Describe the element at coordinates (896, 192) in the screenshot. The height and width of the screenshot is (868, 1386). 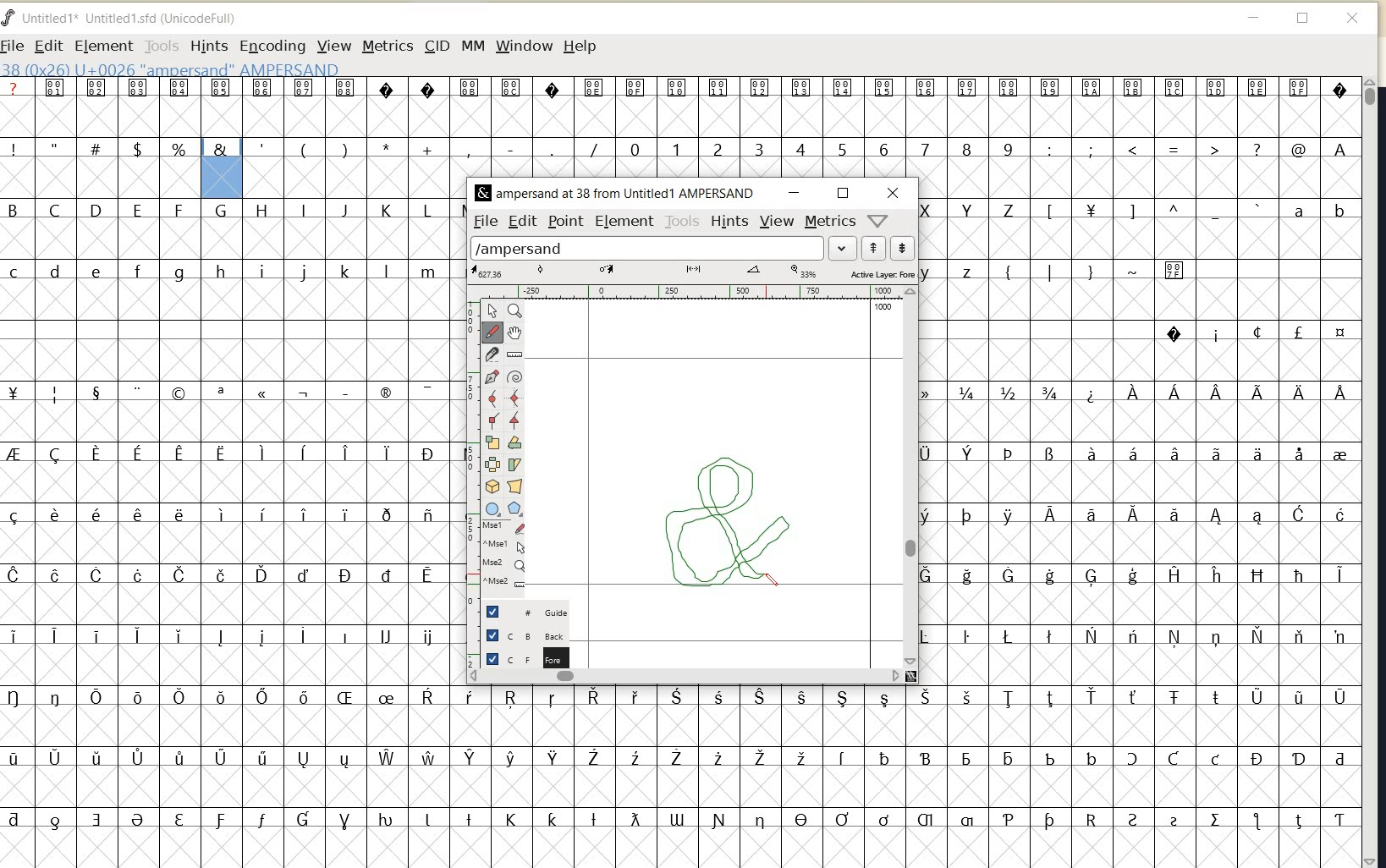
I see `CLOSE` at that location.